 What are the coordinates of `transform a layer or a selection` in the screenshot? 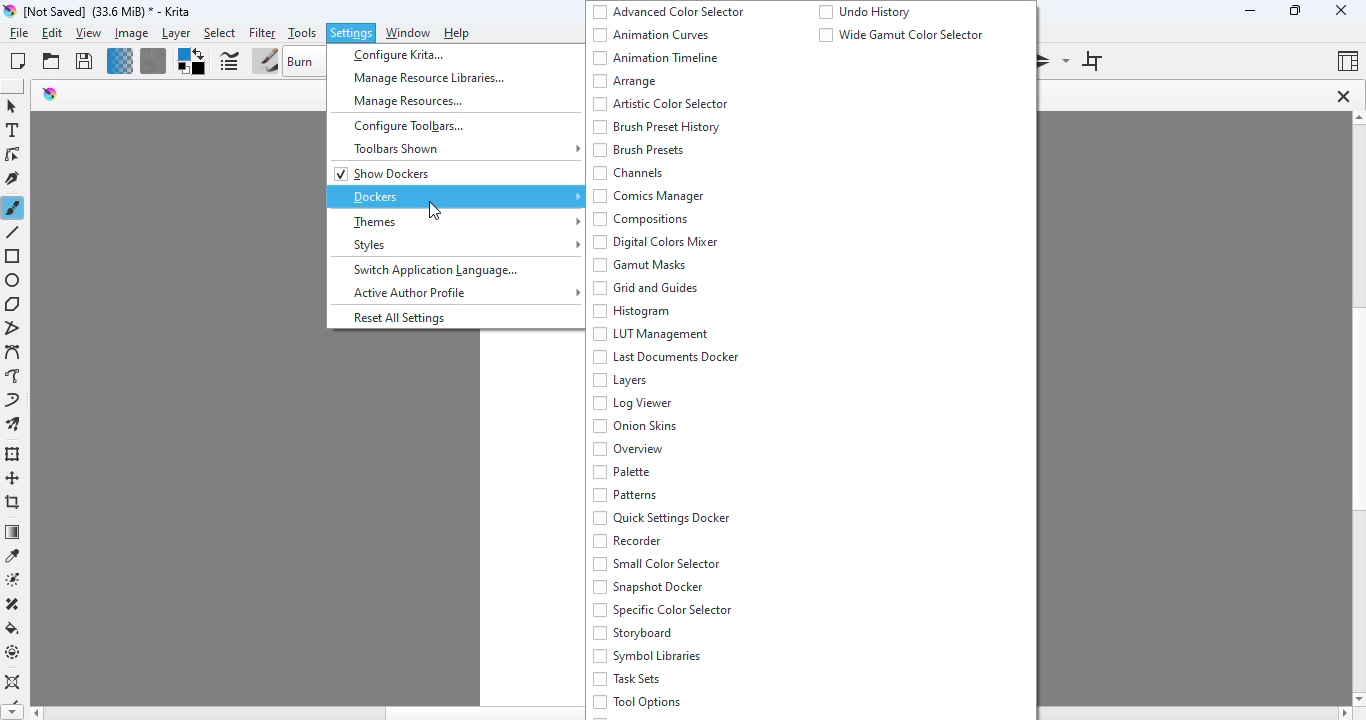 It's located at (13, 454).